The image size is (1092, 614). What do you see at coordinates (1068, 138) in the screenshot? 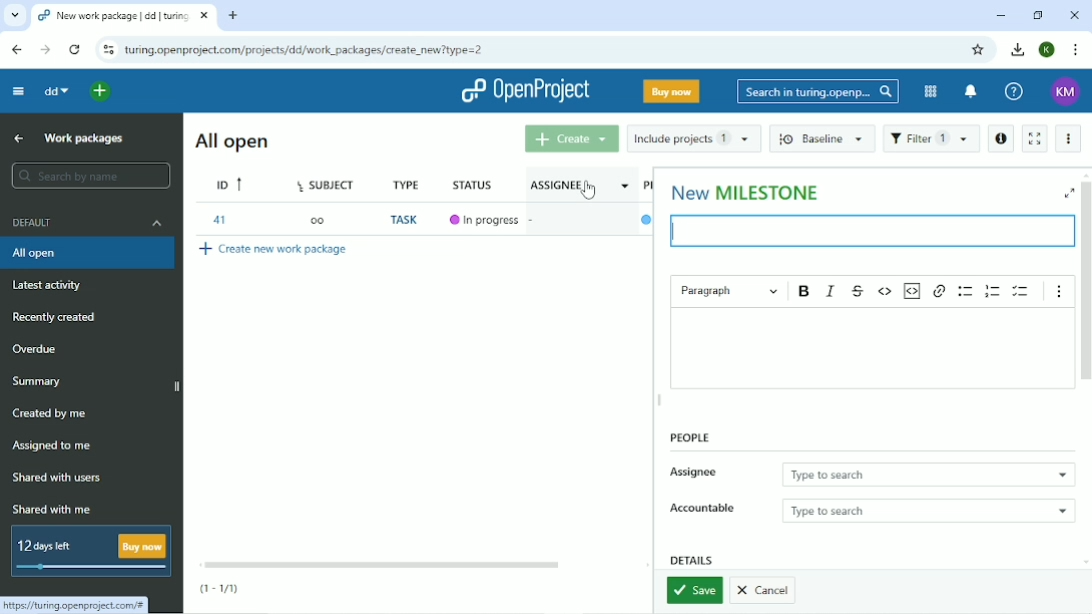
I see `More` at bounding box center [1068, 138].